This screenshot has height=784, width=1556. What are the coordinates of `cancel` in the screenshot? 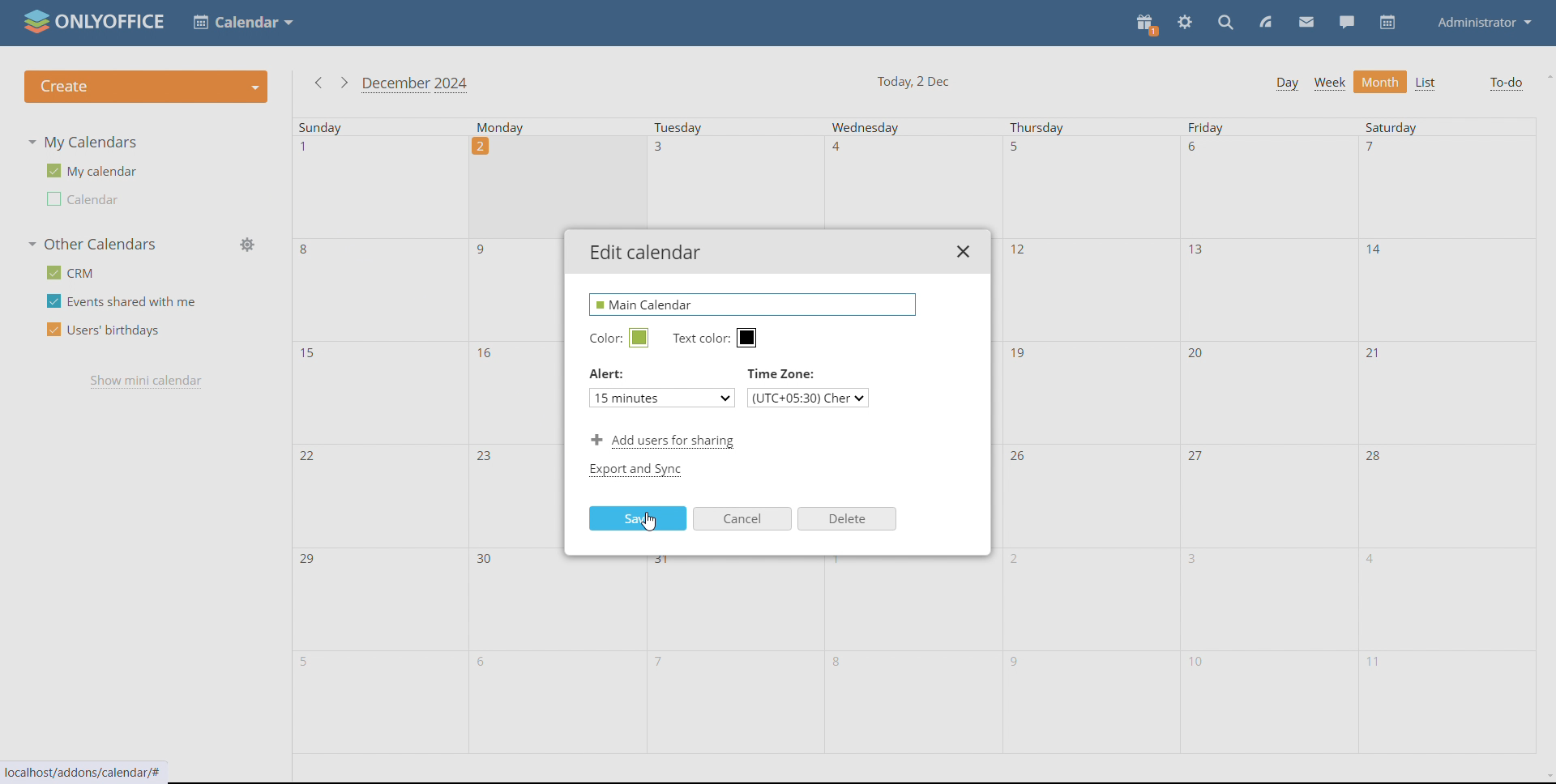 It's located at (742, 519).